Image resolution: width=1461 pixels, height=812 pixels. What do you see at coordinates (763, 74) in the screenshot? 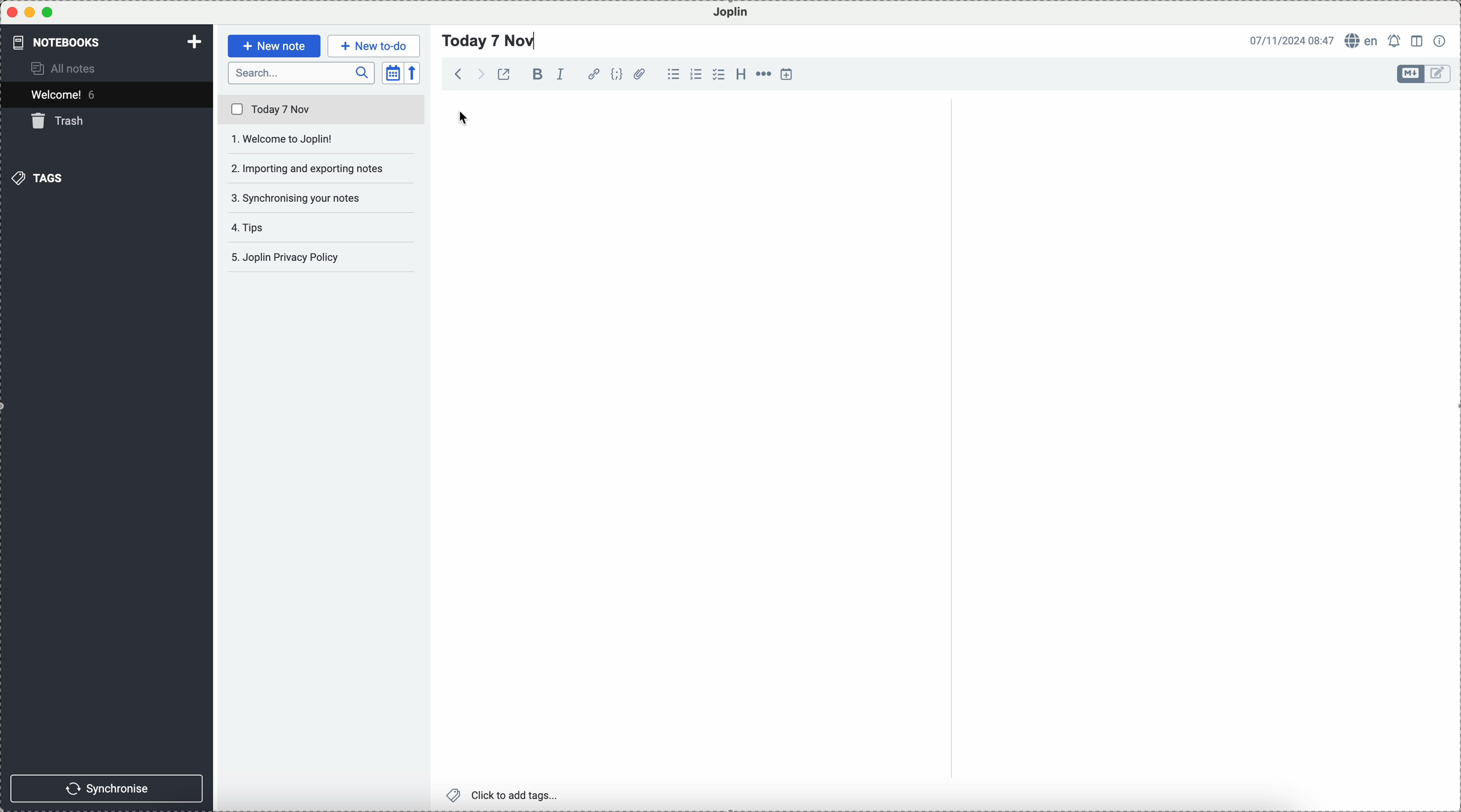
I see `horizontal rule` at bounding box center [763, 74].